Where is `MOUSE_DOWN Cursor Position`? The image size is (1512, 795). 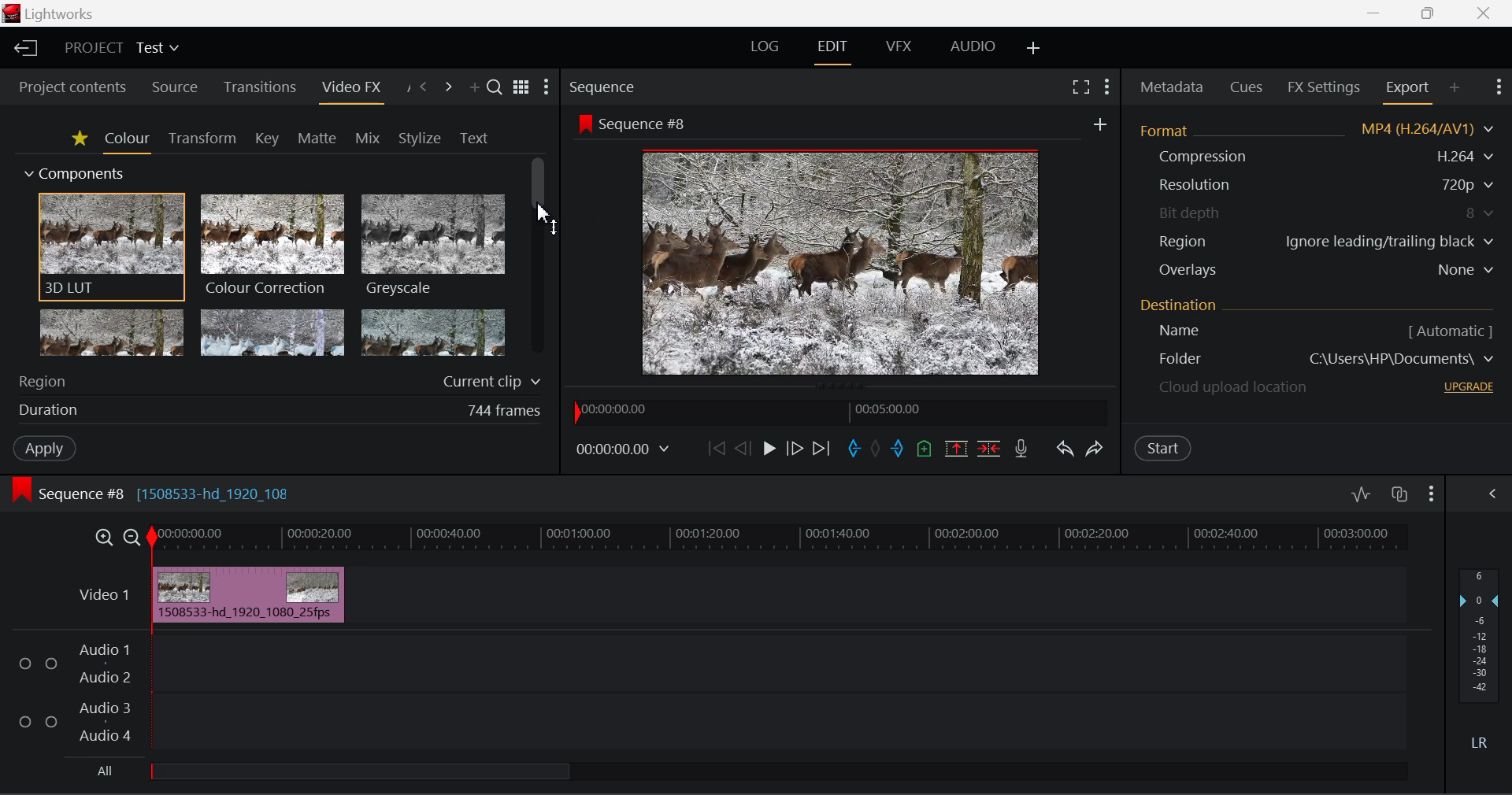 MOUSE_DOWN Cursor Position is located at coordinates (543, 213).